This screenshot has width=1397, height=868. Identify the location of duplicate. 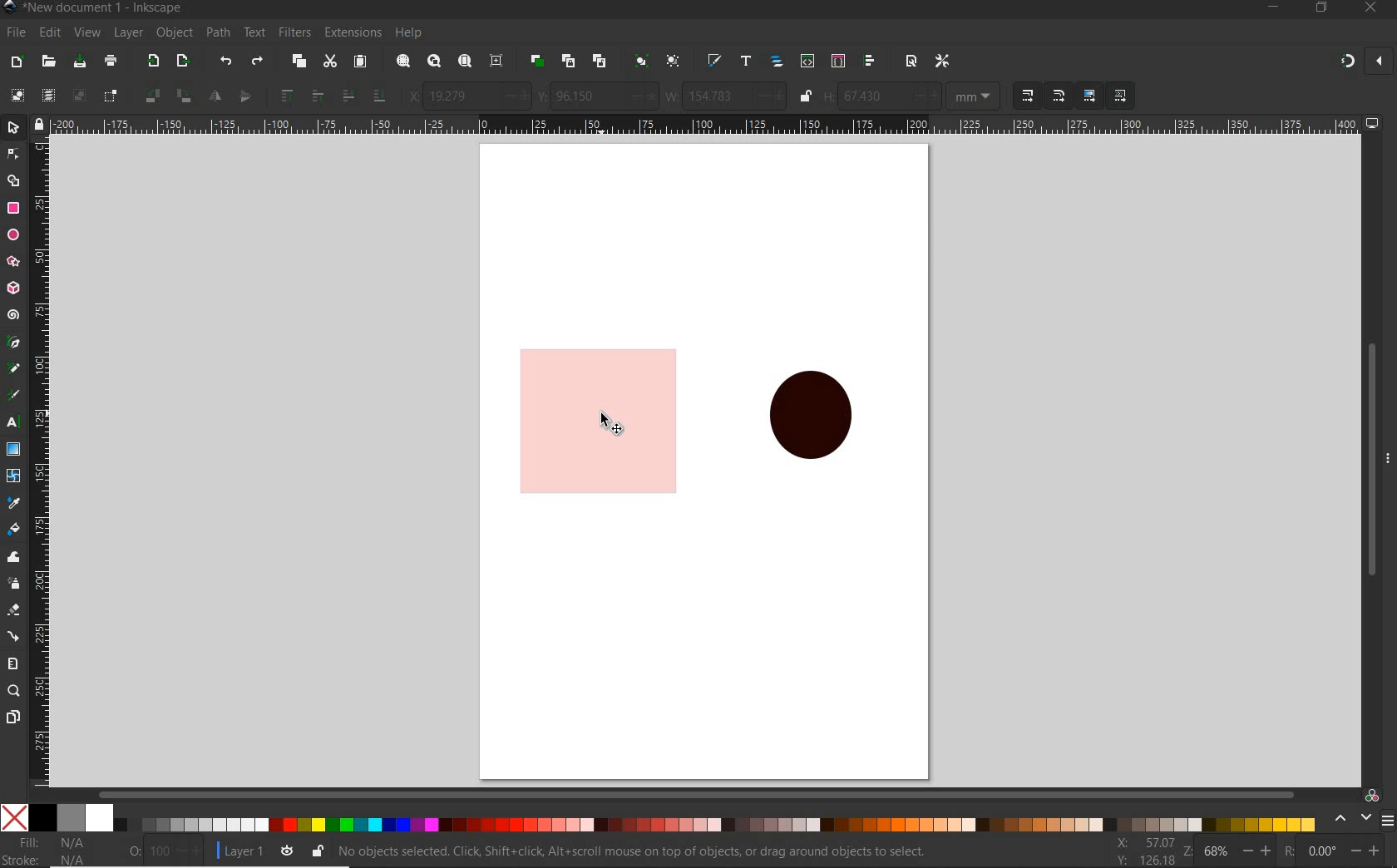
(538, 62).